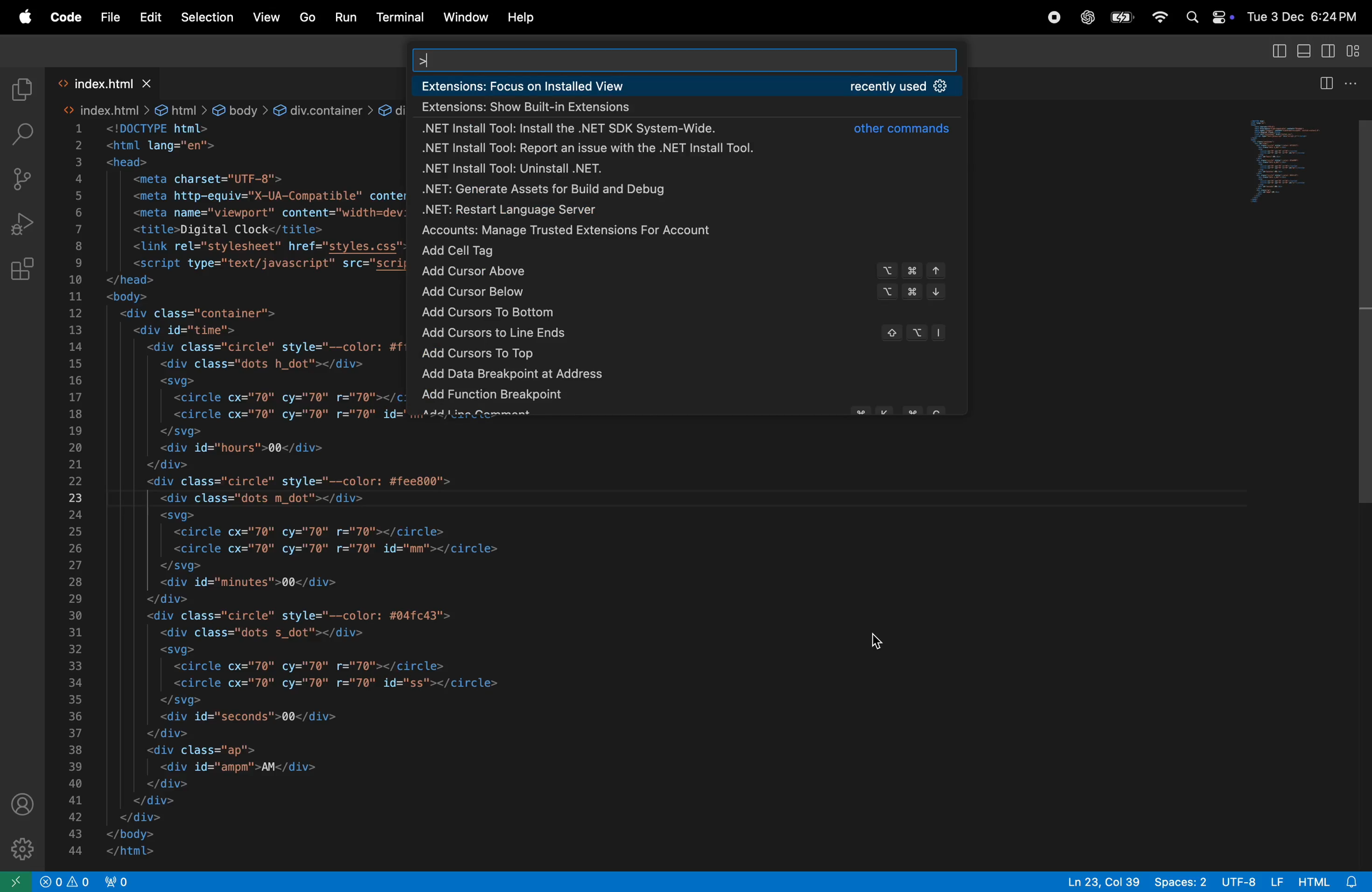 The width and height of the screenshot is (1372, 892). Describe the element at coordinates (880, 642) in the screenshot. I see `cursor` at that location.